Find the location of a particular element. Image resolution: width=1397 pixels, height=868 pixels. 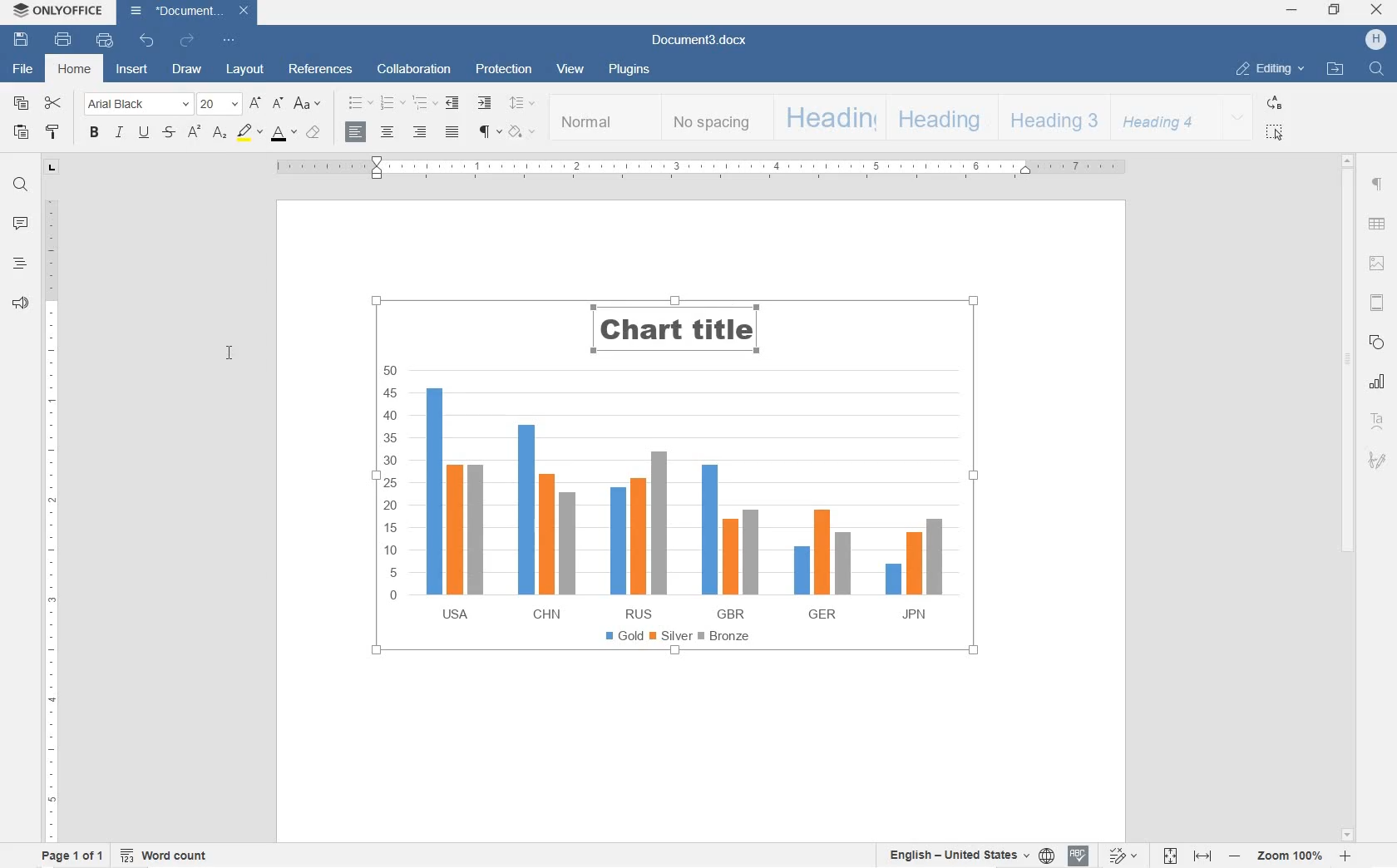

BULLET is located at coordinates (360, 104).